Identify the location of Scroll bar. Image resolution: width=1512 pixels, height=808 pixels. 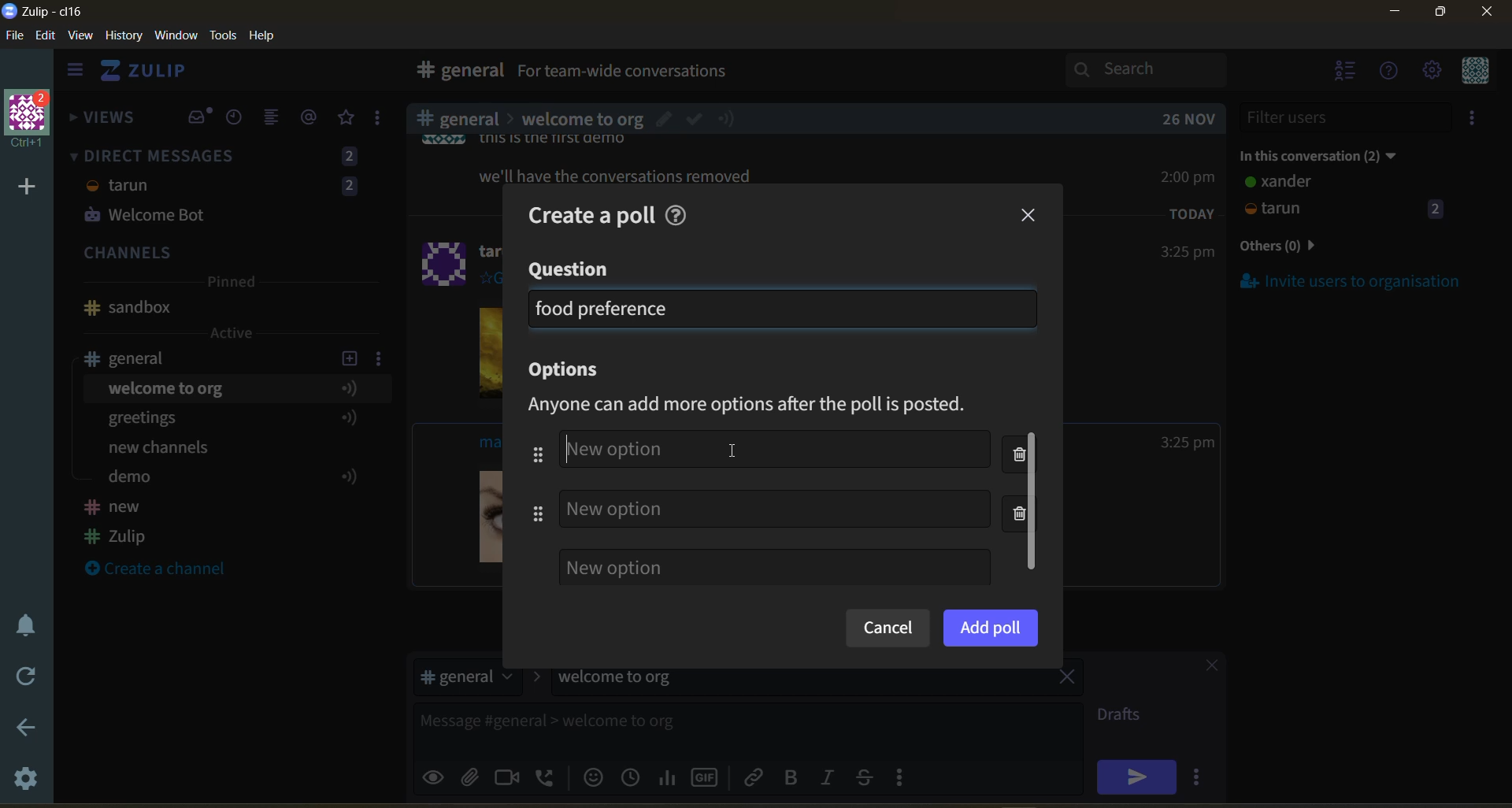
(1503, 421).